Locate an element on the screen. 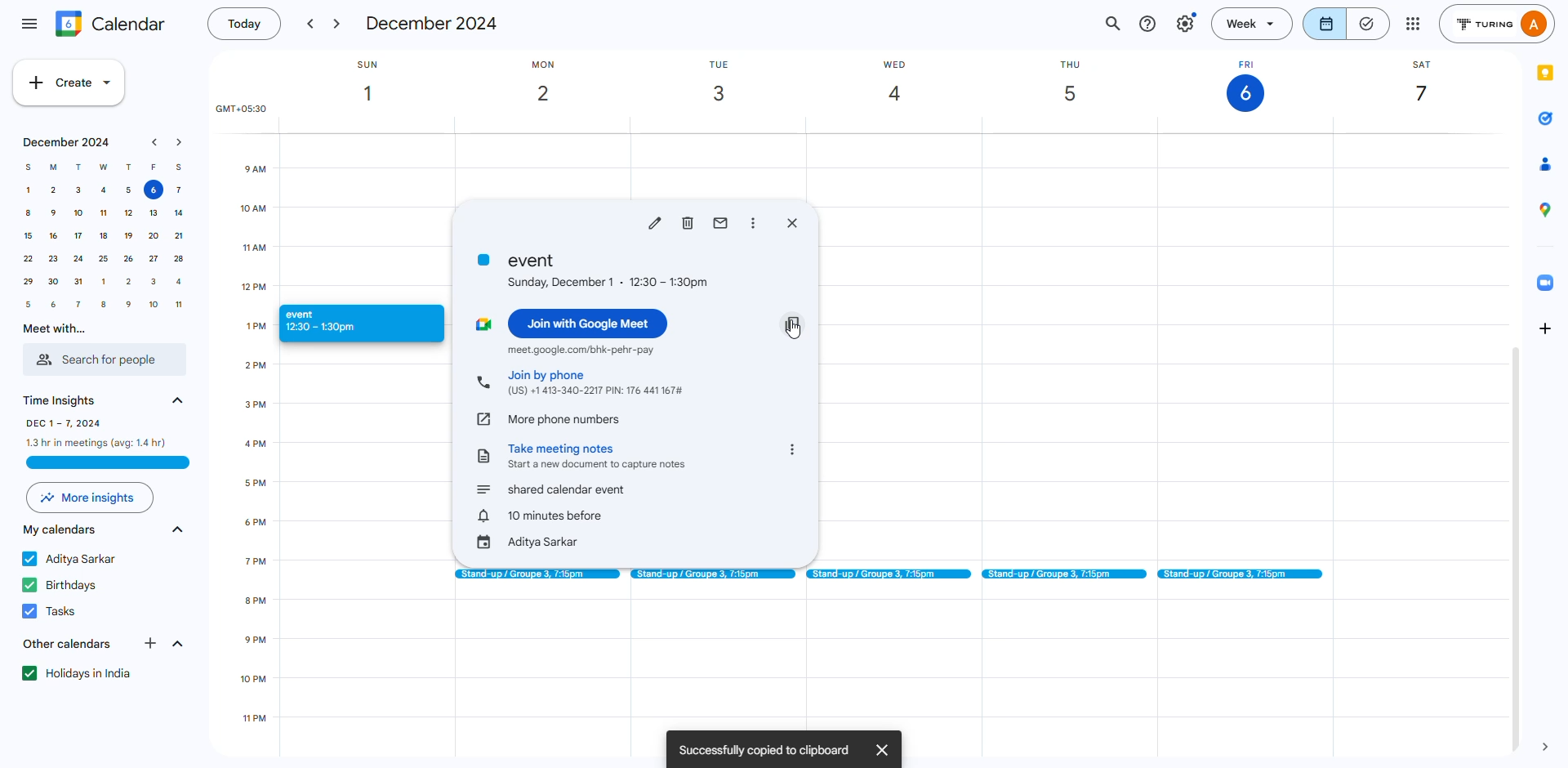  meet is located at coordinates (581, 350).